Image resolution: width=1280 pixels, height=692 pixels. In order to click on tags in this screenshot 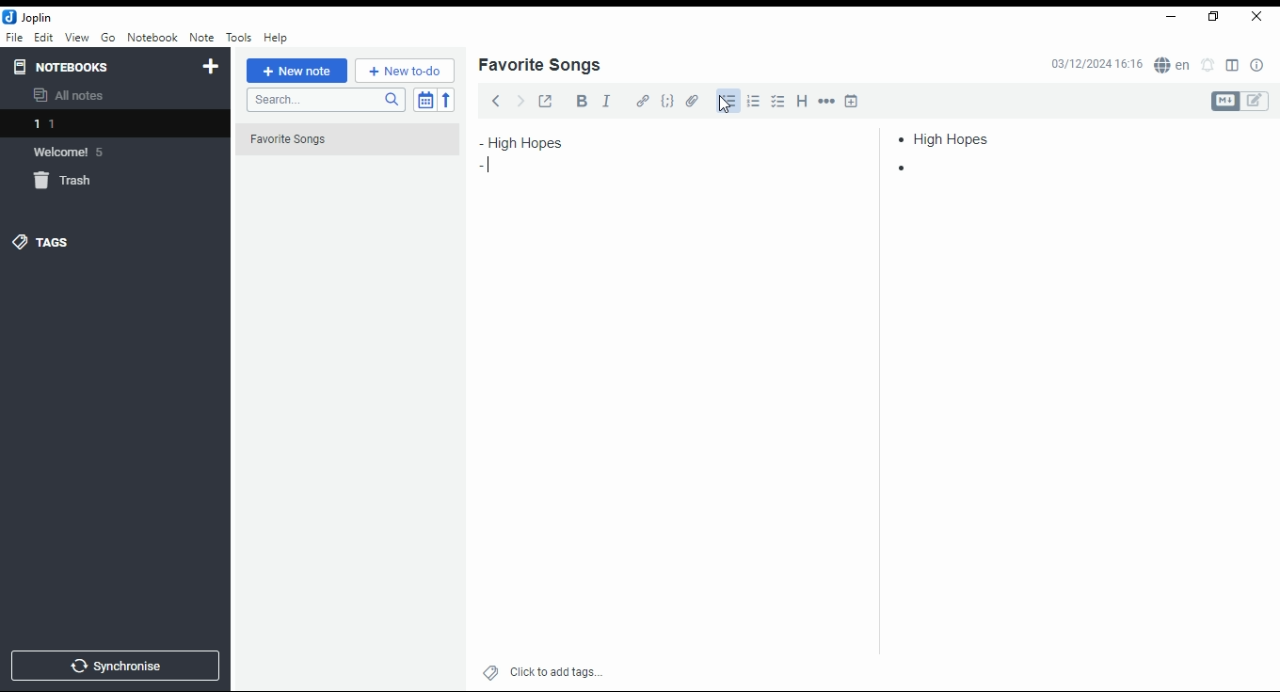, I will do `click(41, 241)`.